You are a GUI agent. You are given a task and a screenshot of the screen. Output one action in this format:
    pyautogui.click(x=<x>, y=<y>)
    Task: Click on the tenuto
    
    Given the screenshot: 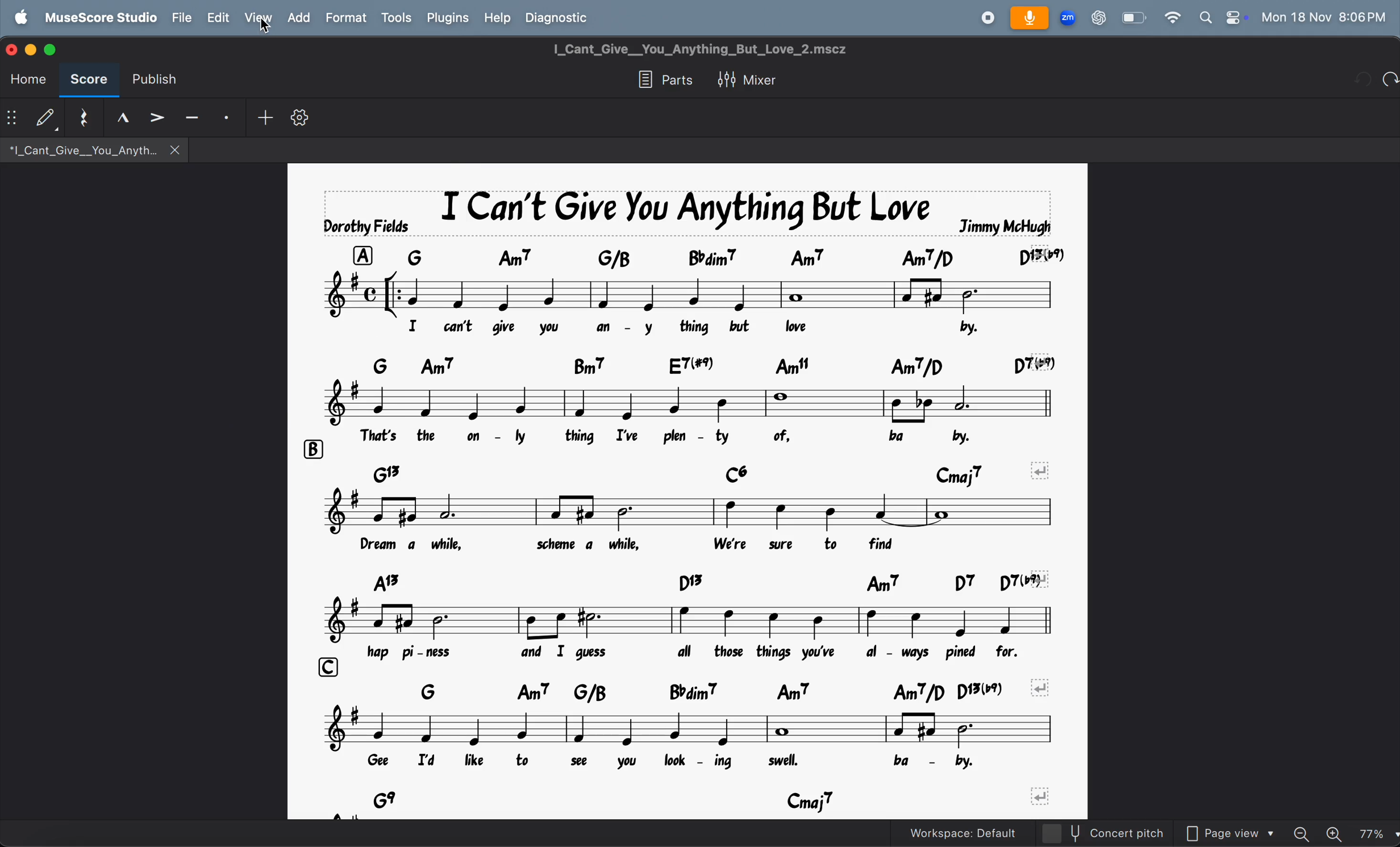 What is the action you would take?
    pyautogui.click(x=192, y=115)
    